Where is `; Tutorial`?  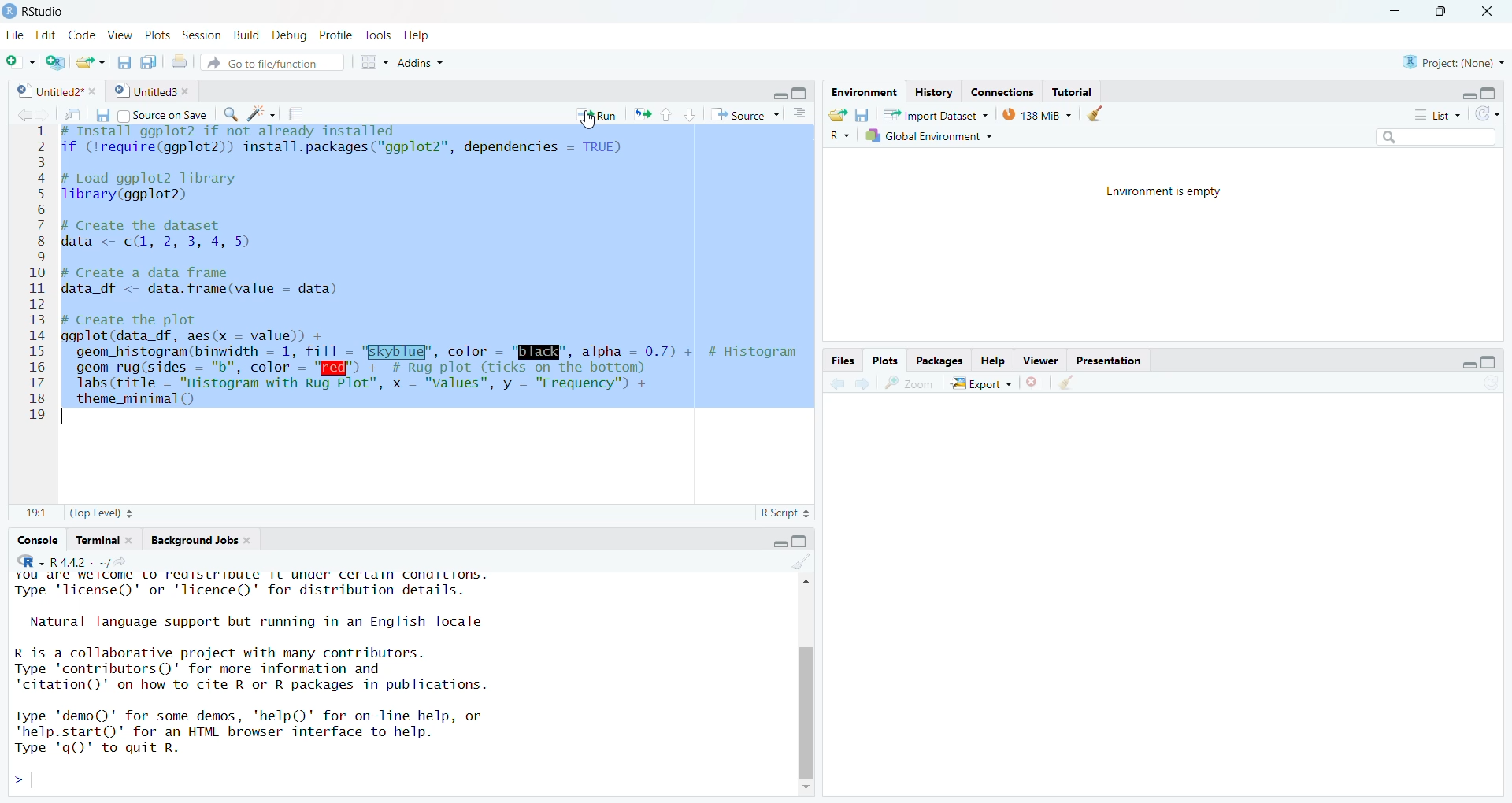
; Tutorial is located at coordinates (1083, 90).